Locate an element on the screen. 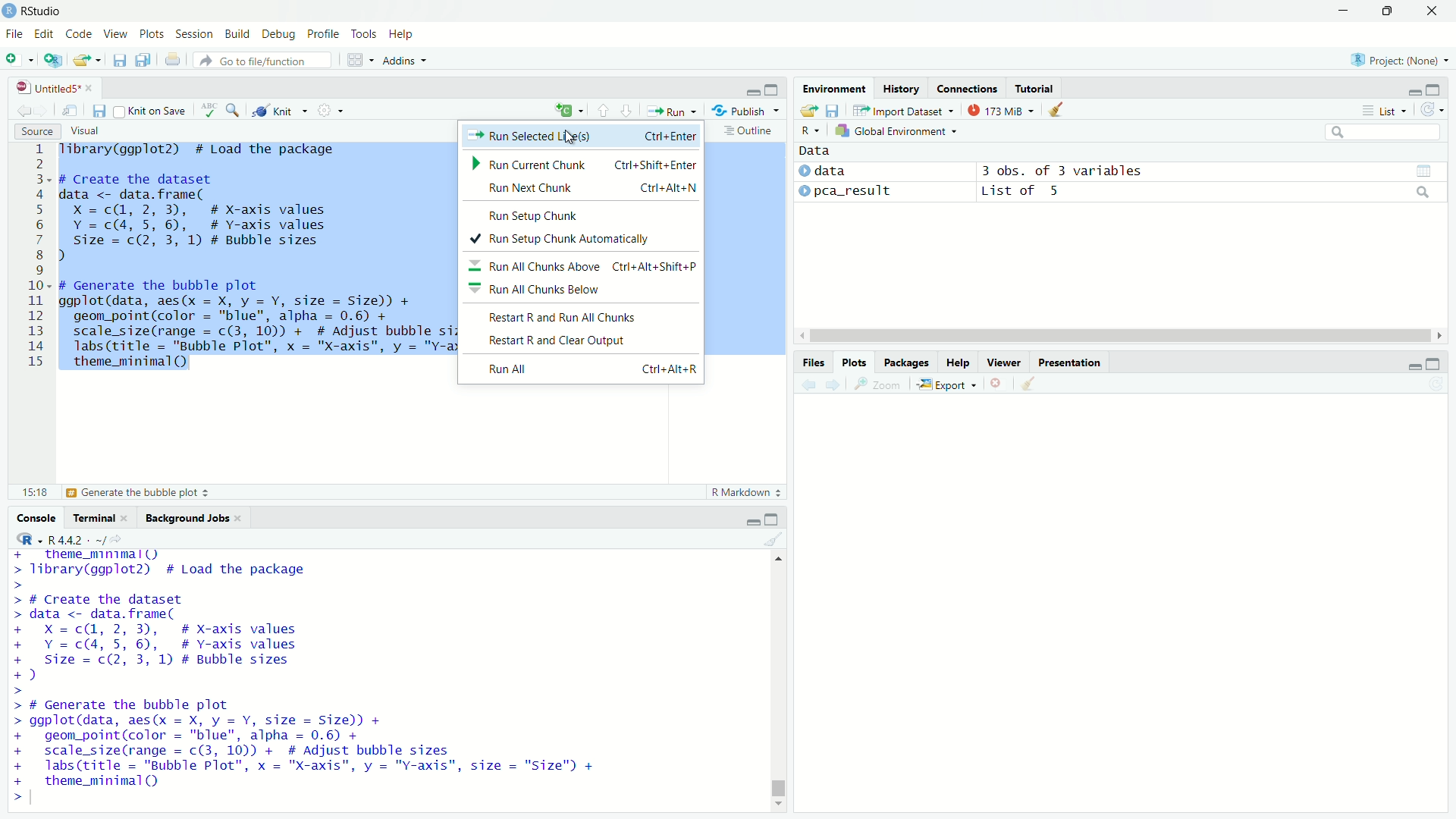  horizontal scrollbar is located at coordinates (1121, 337).